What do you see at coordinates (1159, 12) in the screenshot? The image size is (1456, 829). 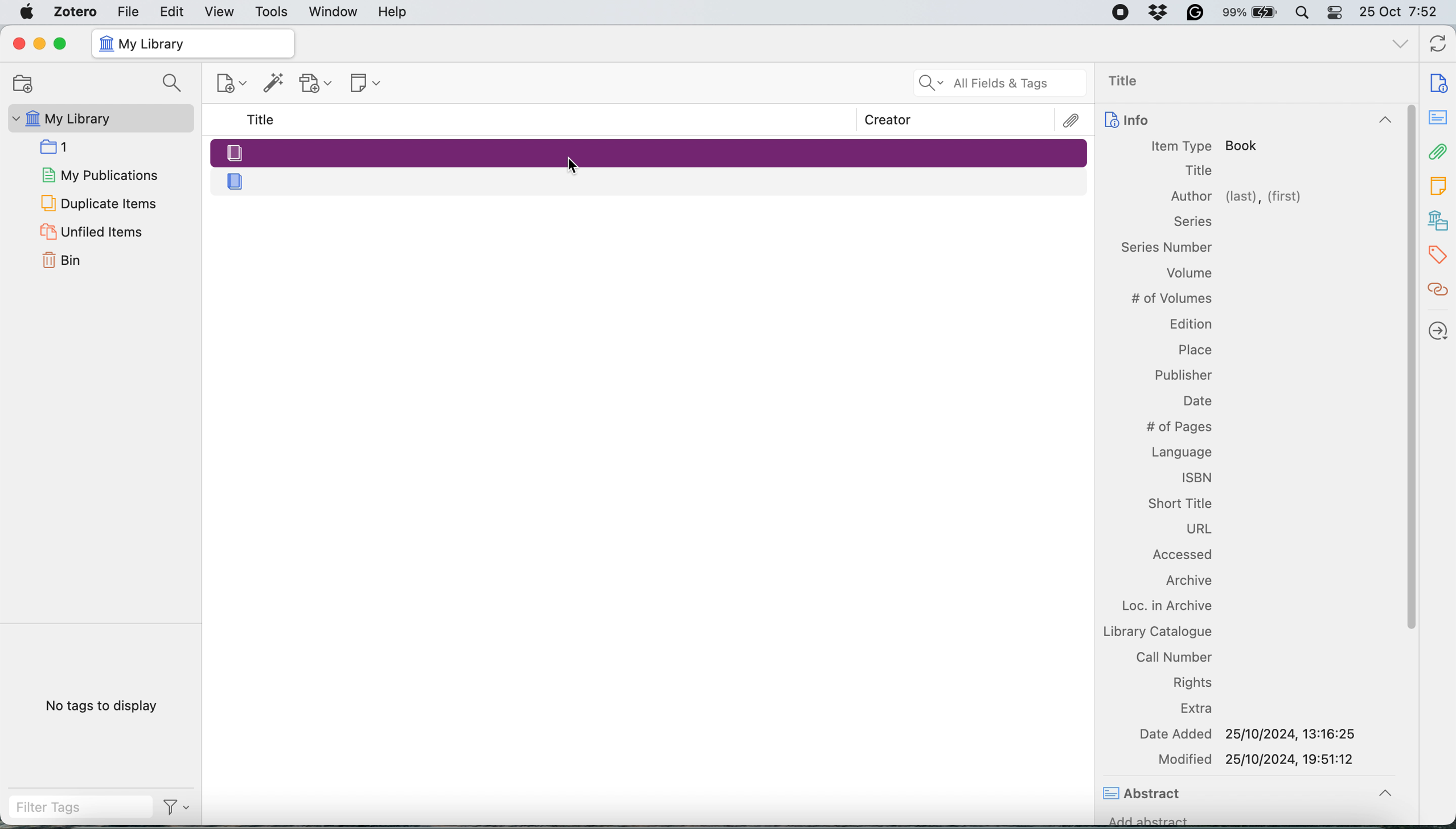 I see `Dropbox` at bounding box center [1159, 12].